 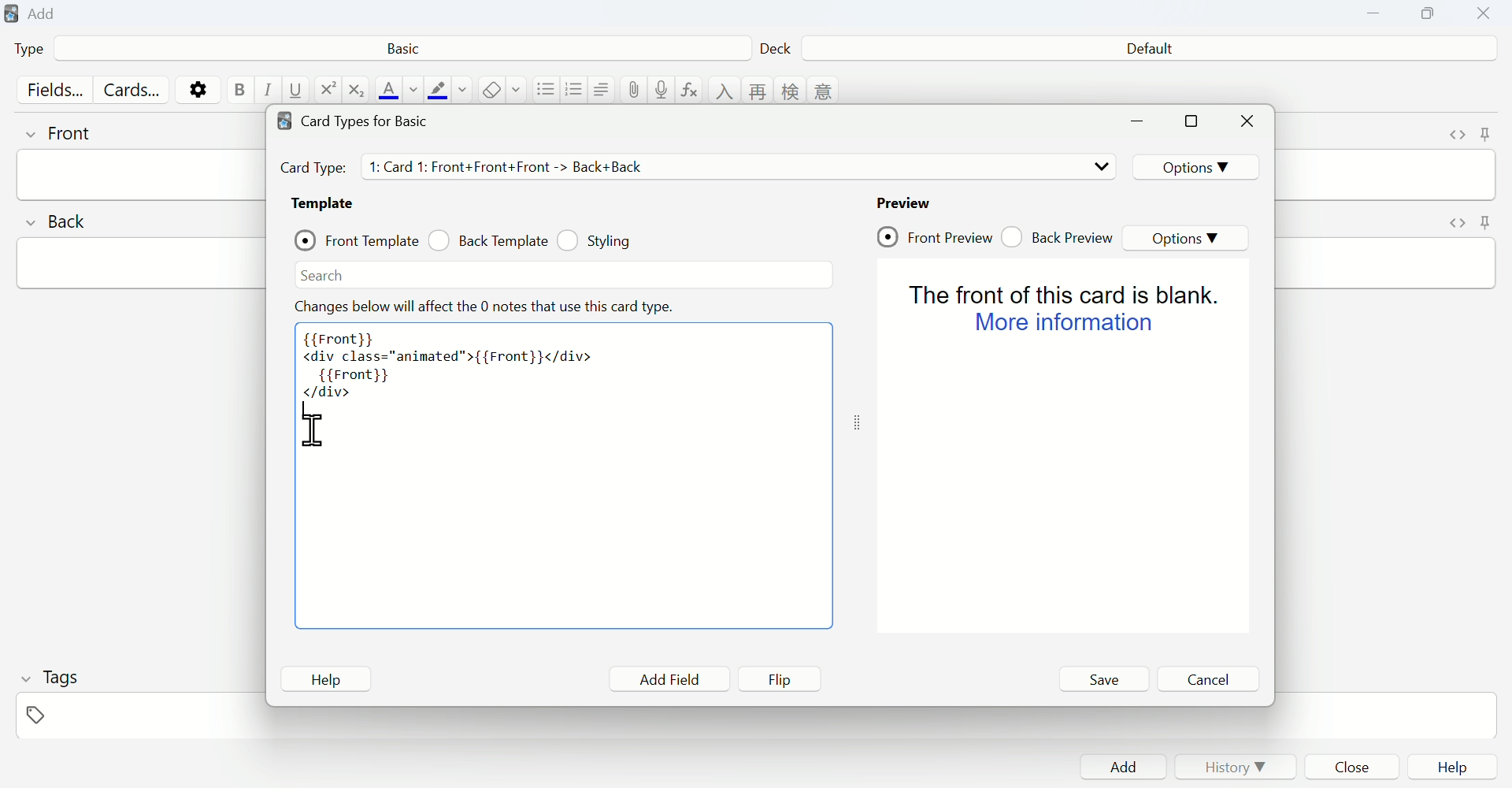 I want to click on History, so click(x=1234, y=767).